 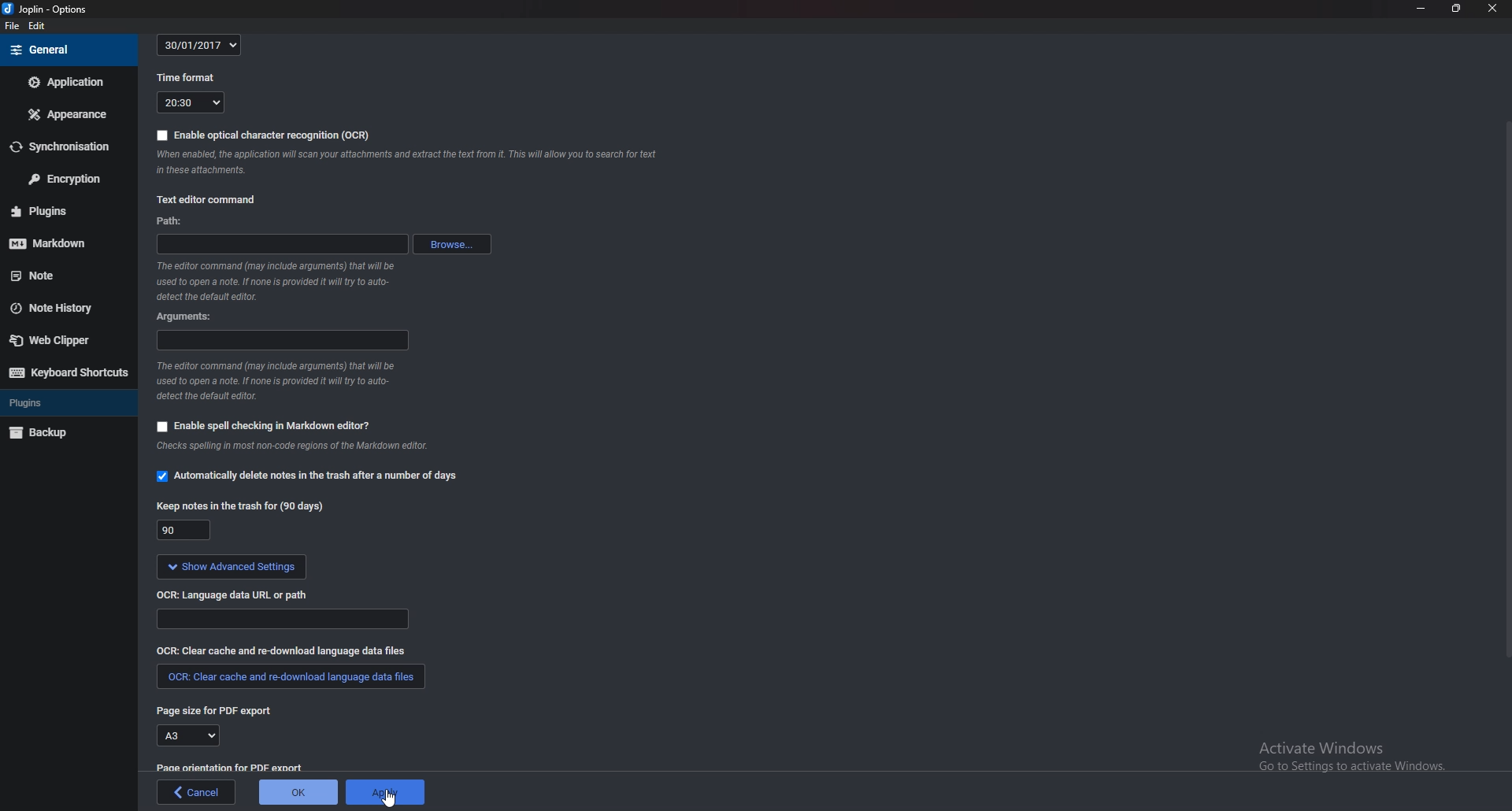 I want to click on o C R language data url or path, so click(x=236, y=596).